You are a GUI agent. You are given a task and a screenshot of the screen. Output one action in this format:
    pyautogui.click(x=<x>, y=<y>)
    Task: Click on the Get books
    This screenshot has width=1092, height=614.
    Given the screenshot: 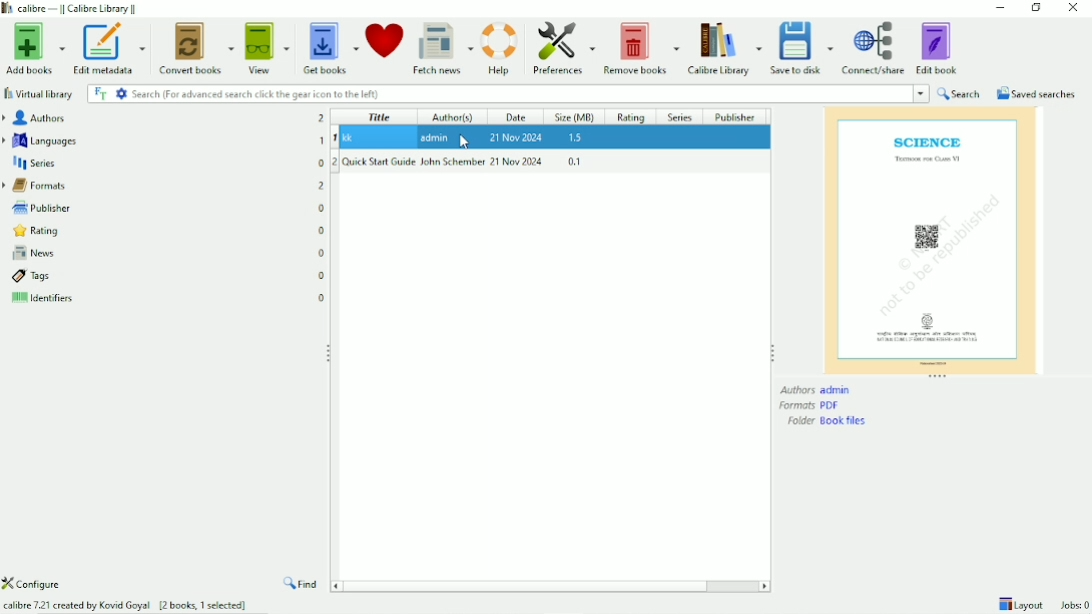 What is the action you would take?
    pyautogui.click(x=329, y=49)
    